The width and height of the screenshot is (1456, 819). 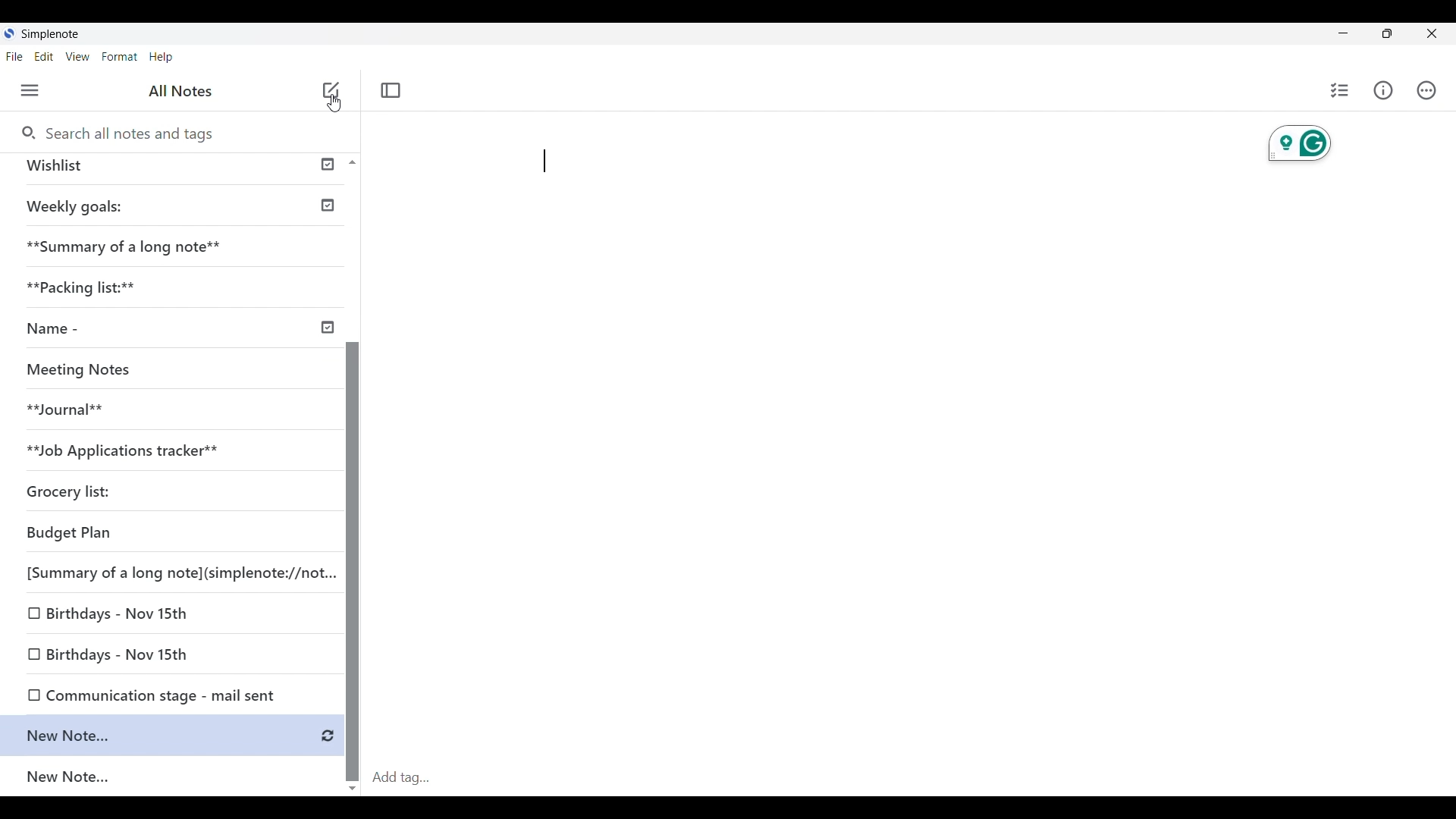 I want to click on Current note highlighted, so click(x=171, y=776).